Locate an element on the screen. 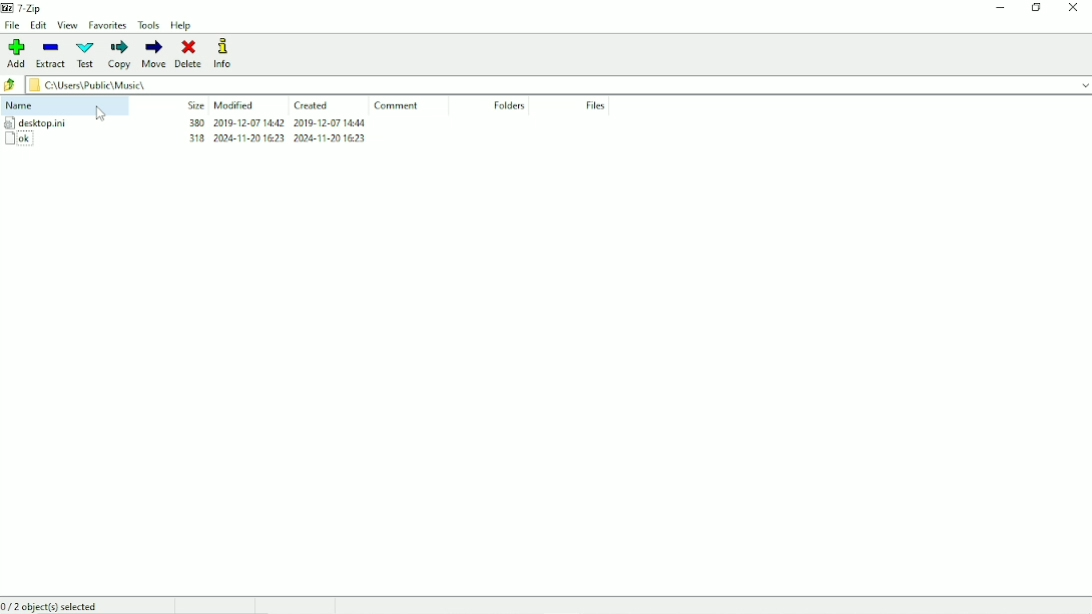  380 2019-12-07 14602 2019-12-07 add is located at coordinates (280, 139).